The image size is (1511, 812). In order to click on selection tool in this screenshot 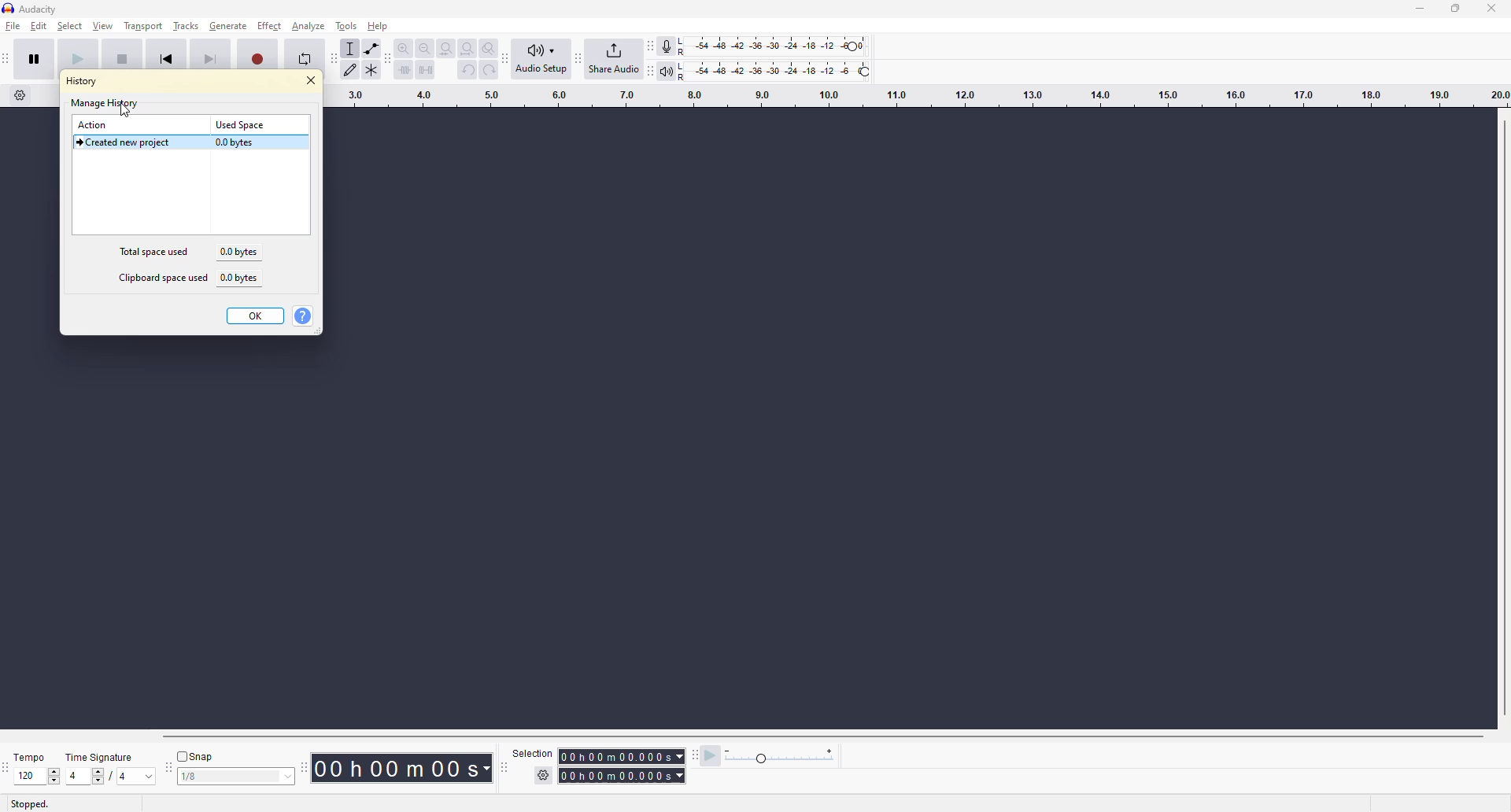, I will do `click(352, 49)`.